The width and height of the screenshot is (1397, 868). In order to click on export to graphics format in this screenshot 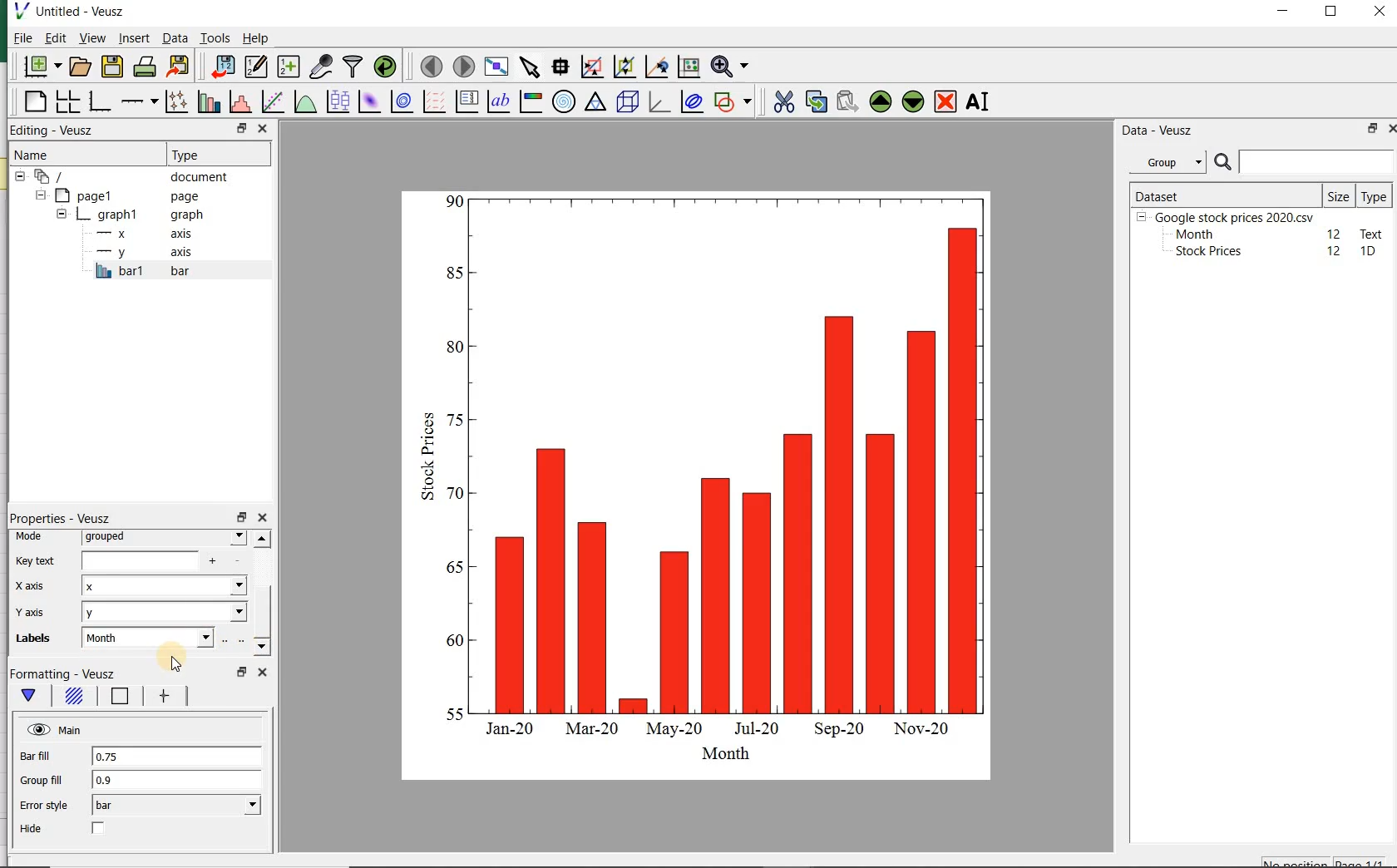, I will do `click(179, 67)`.